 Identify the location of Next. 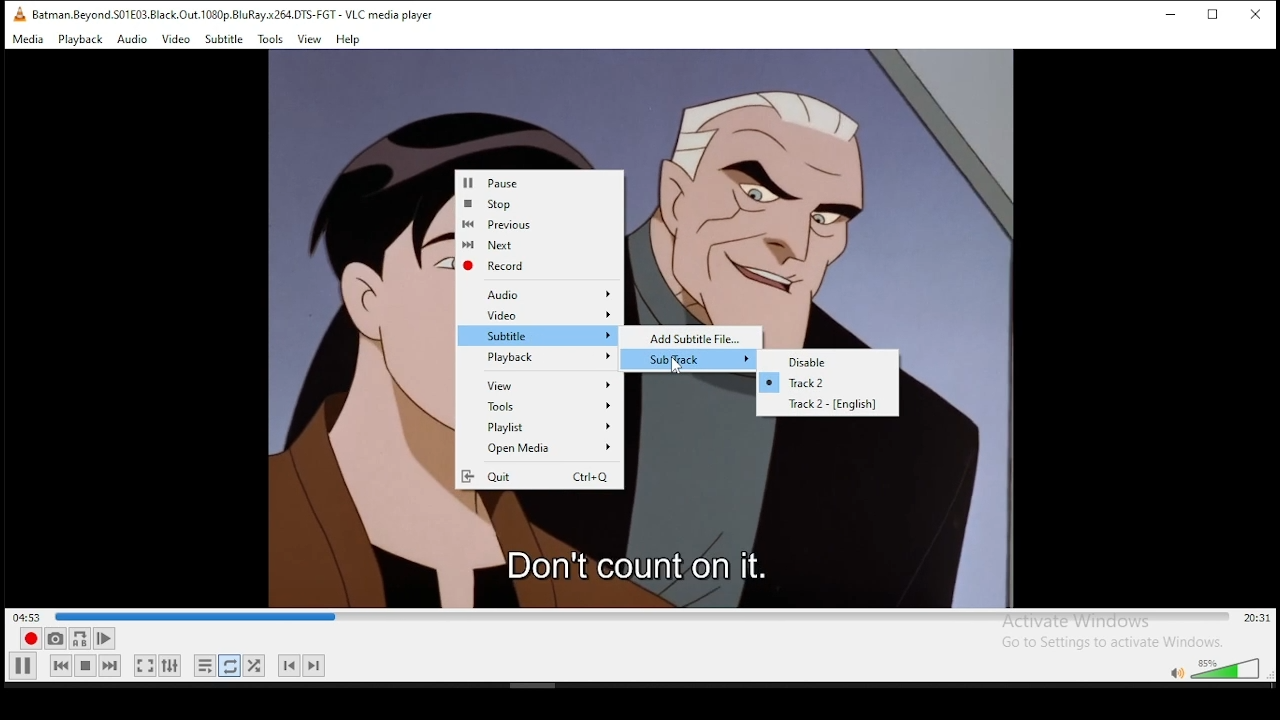
(536, 244).